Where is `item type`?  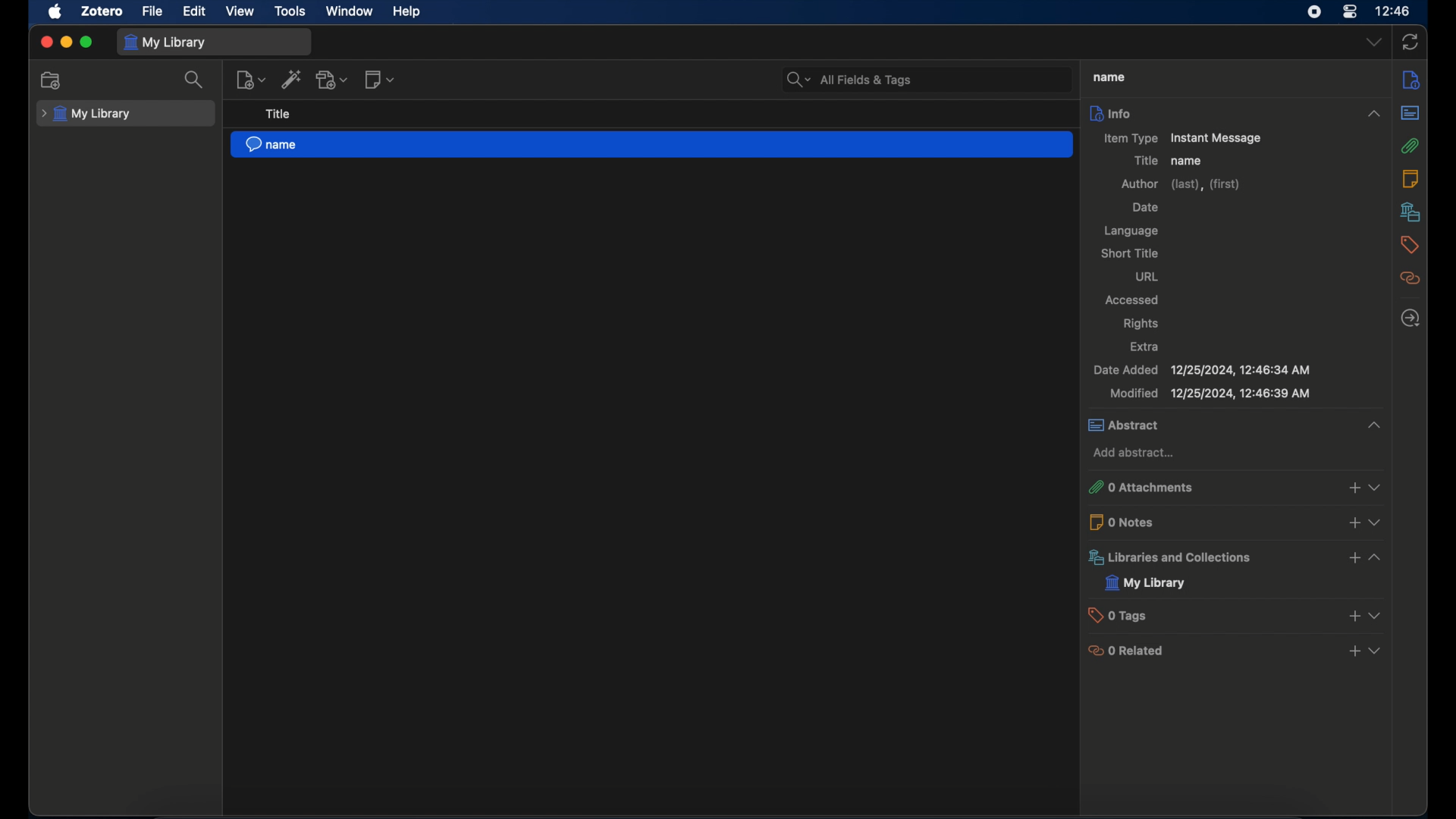
item type is located at coordinates (1180, 139).